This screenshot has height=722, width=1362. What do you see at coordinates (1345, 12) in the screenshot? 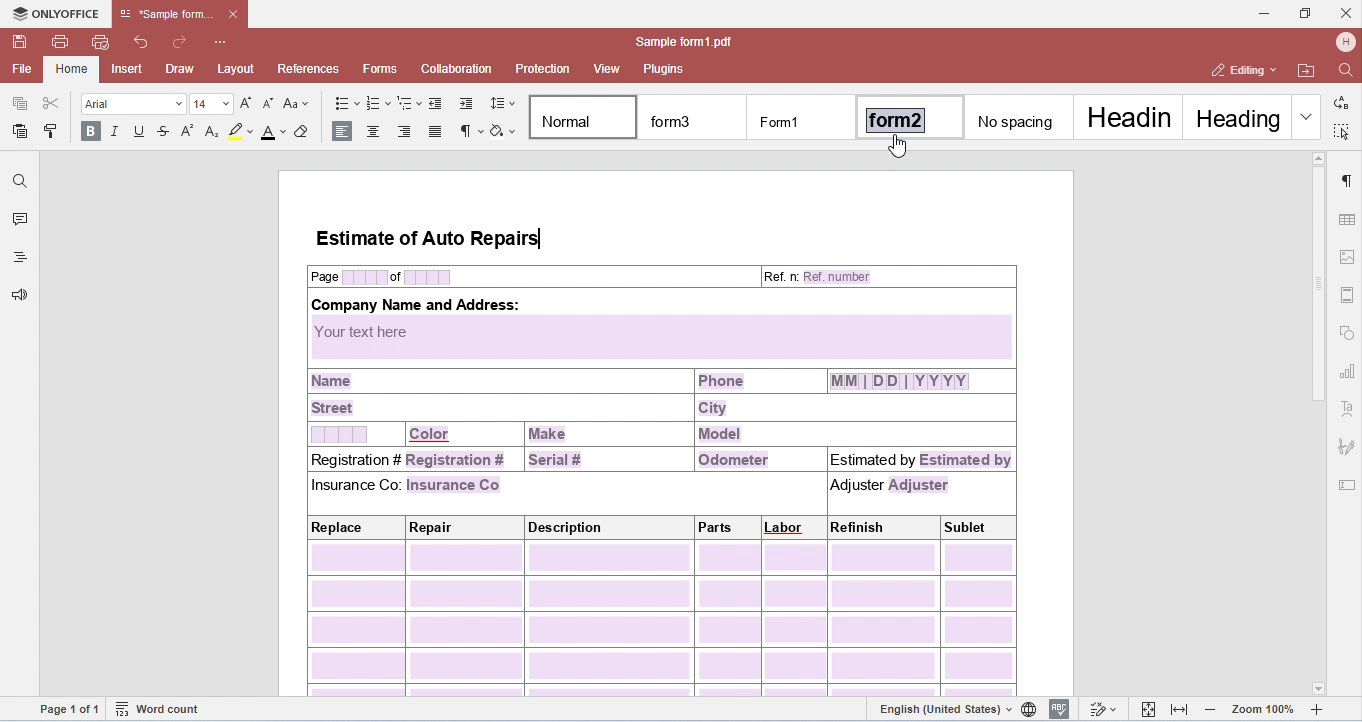
I see `close` at bounding box center [1345, 12].